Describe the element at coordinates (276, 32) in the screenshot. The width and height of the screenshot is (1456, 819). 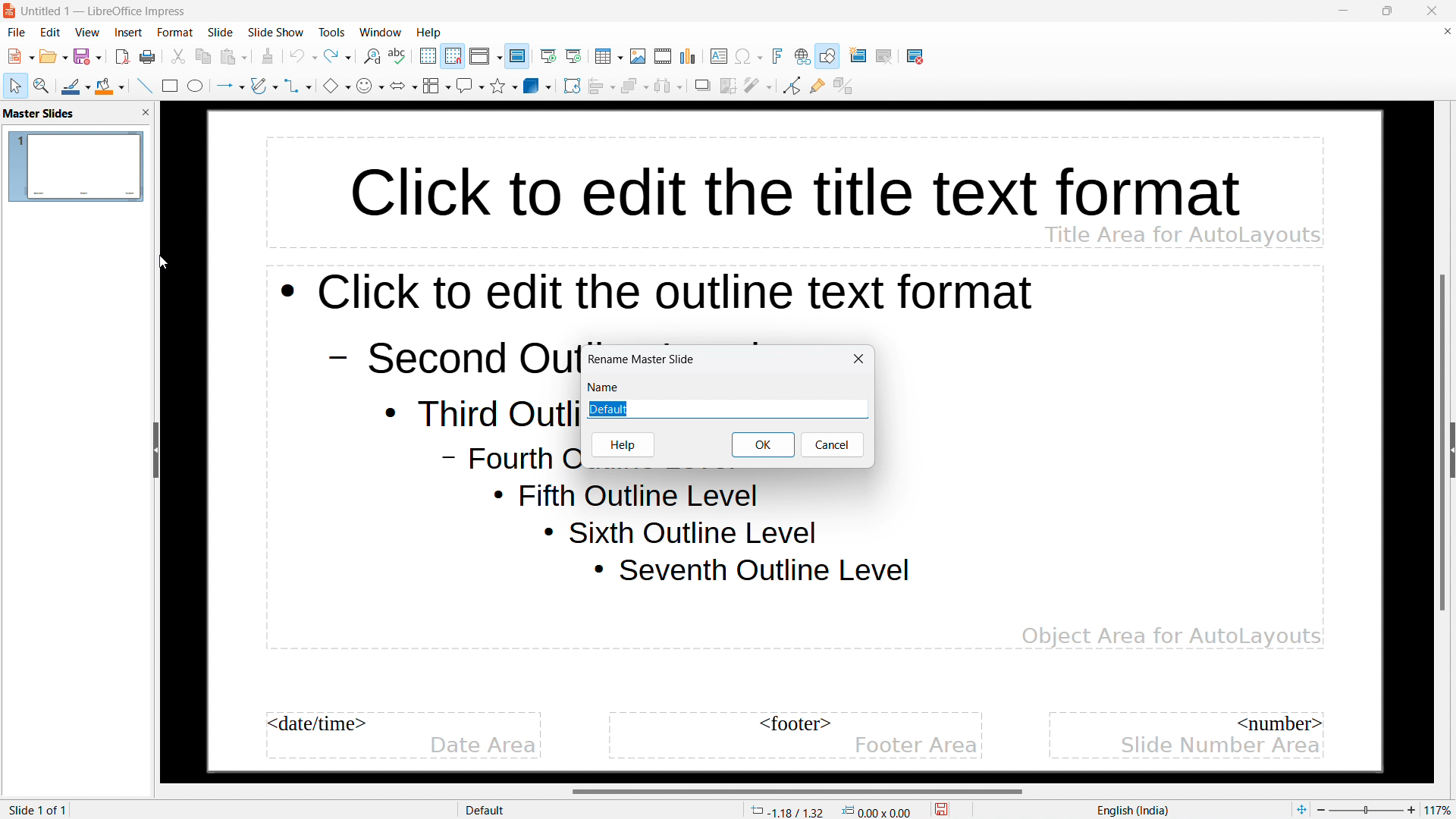
I see `Slide Show` at that location.